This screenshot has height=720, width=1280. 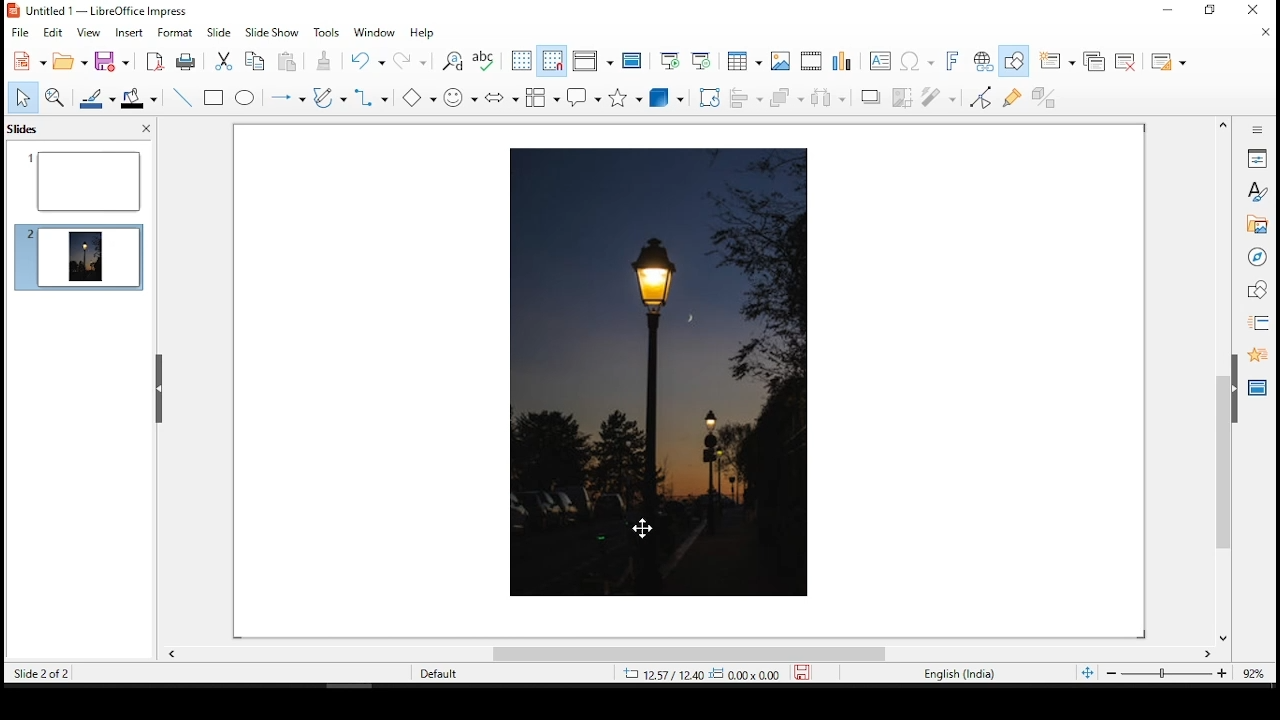 I want to click on edit, so click(x=51, y=31).